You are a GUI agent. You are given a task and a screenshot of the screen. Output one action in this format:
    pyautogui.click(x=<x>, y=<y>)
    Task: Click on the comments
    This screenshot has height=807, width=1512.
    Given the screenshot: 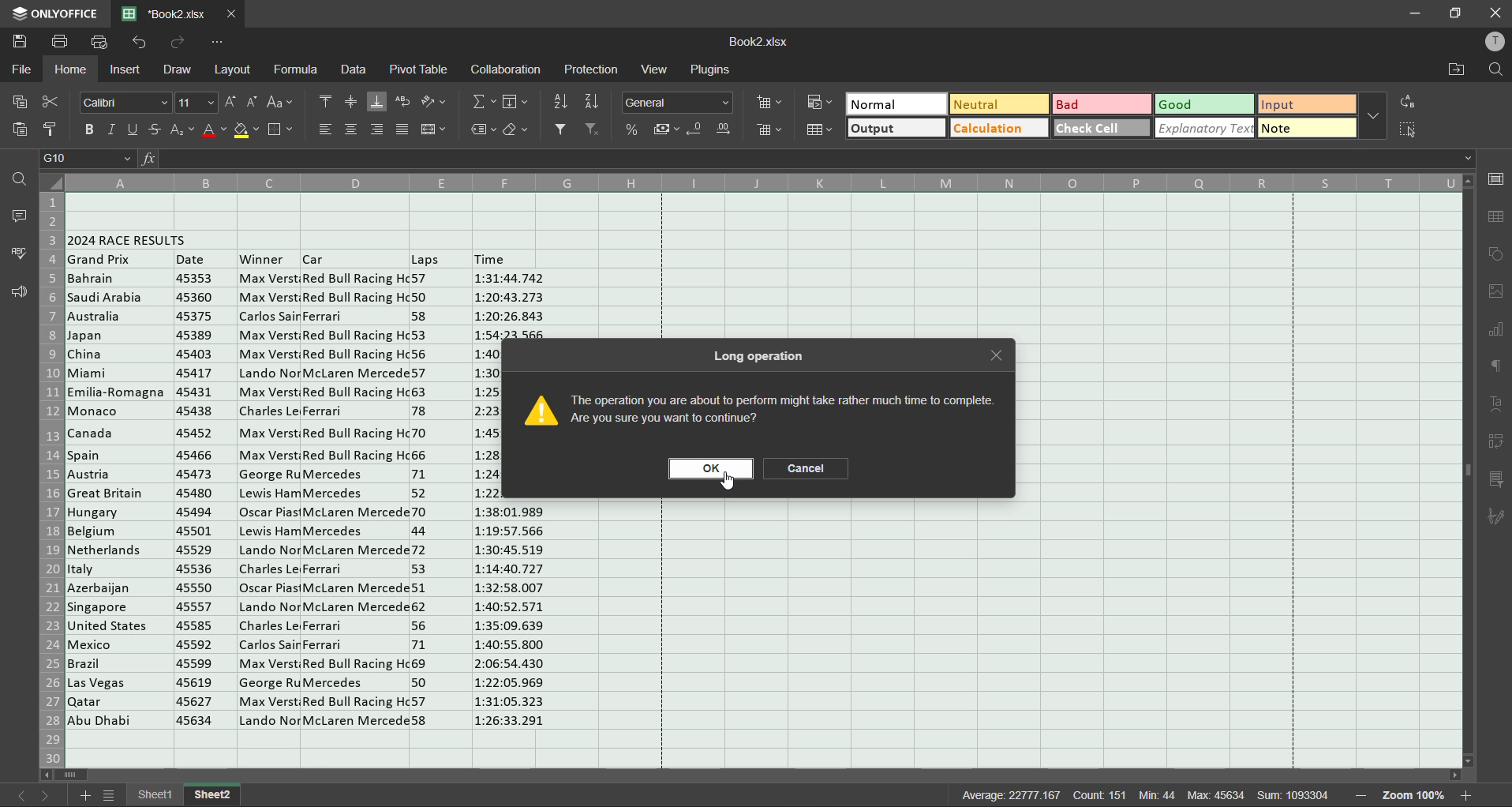 What is the action you would take?
    pyautogui.click(x=20, y=217)
    